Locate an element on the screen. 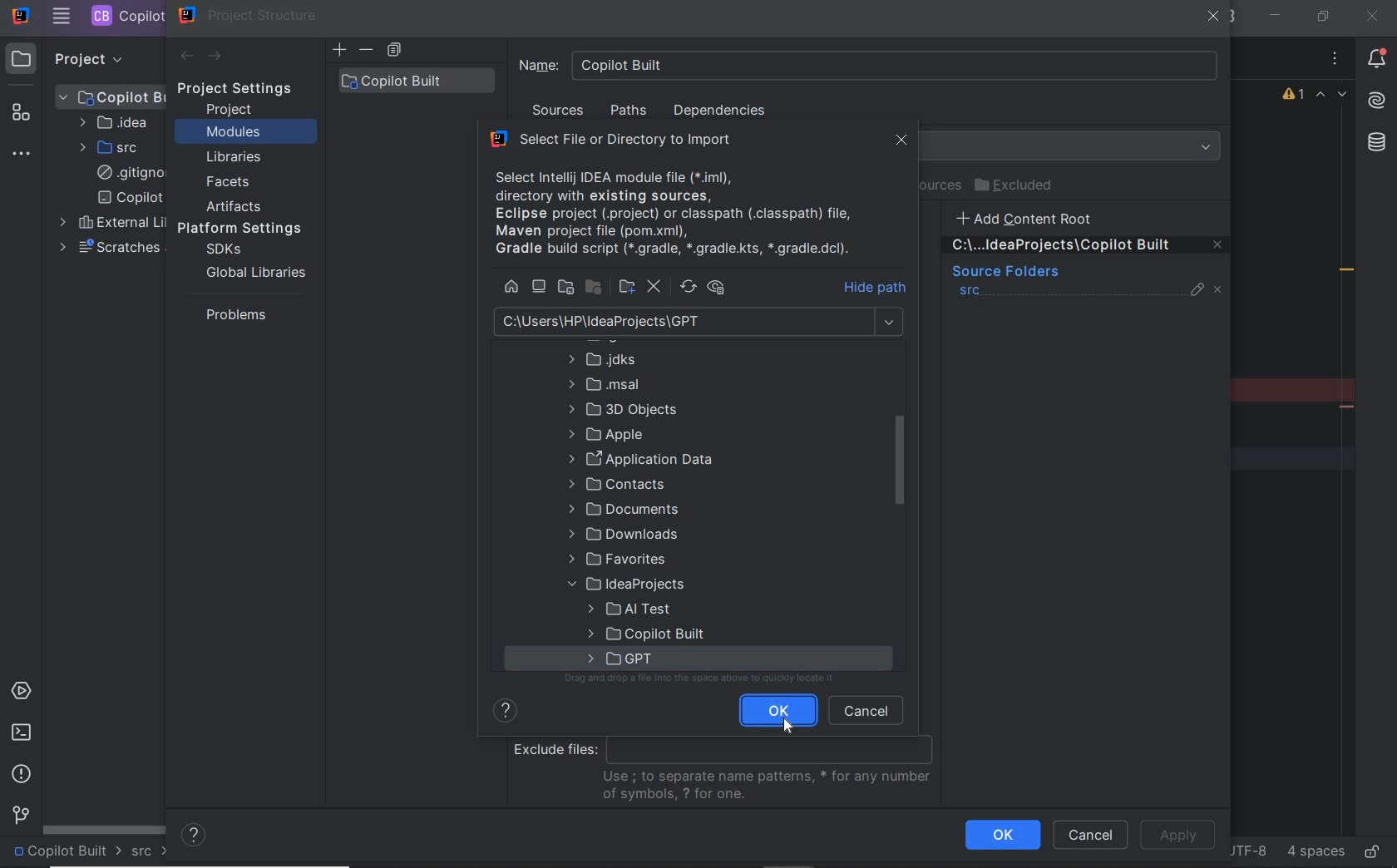 The height and width of the screenshot is (868, 1397). refresh is located at coordinates (689, 287).